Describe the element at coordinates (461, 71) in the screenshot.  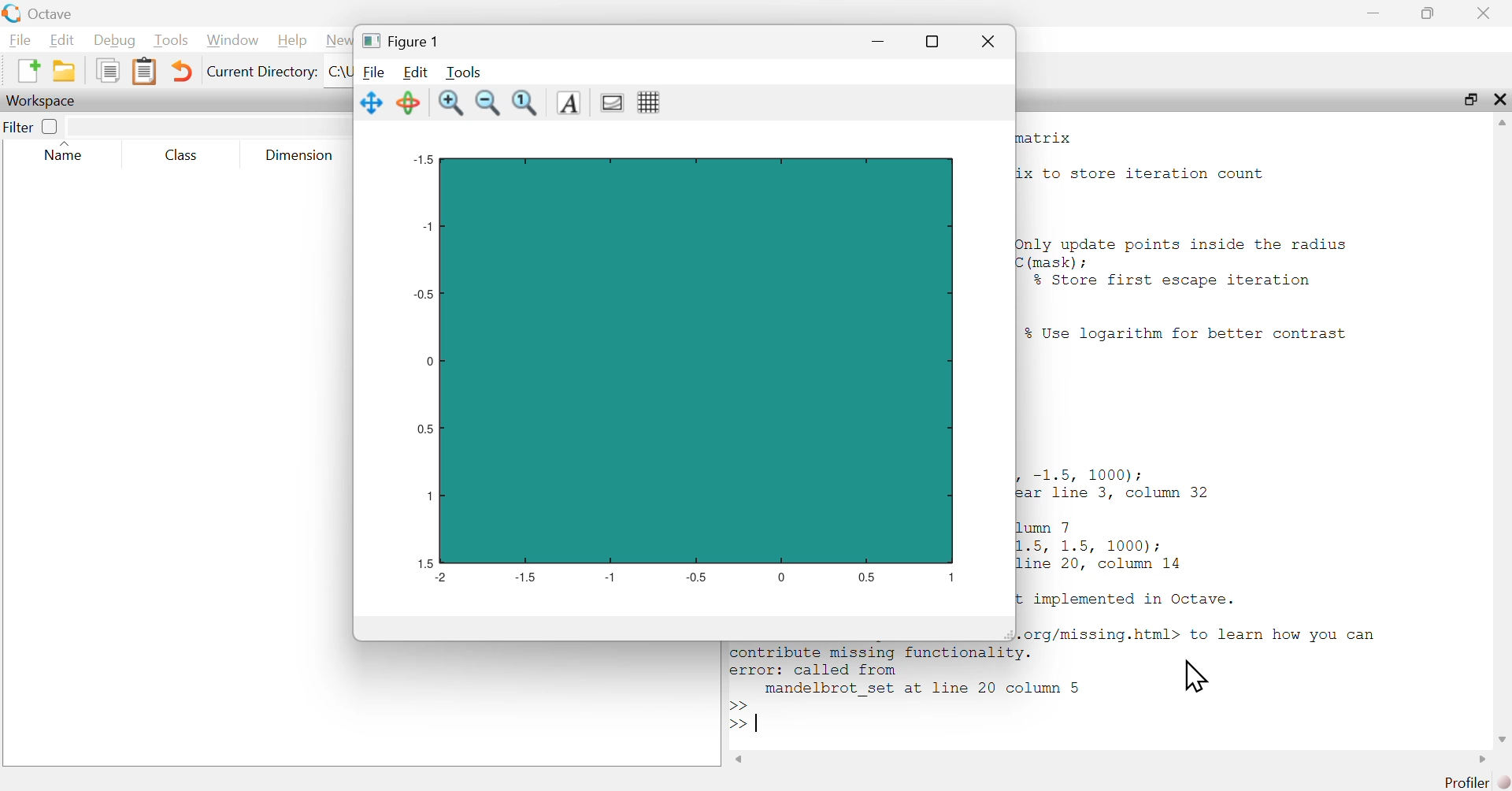
I see `Tools` at that location.